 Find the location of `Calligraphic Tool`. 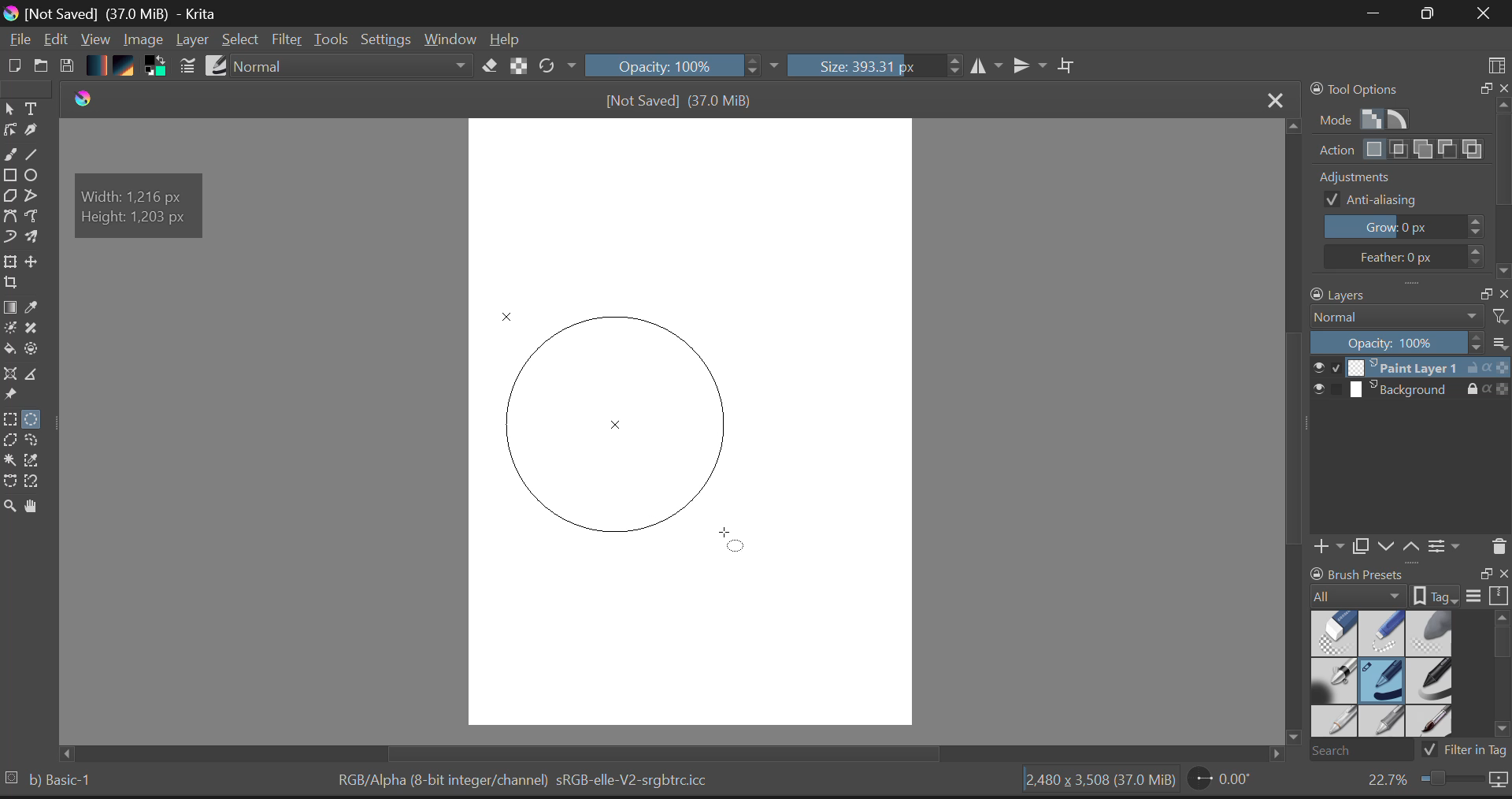

Calligraphic Tool is located at coordinates (31, 133).